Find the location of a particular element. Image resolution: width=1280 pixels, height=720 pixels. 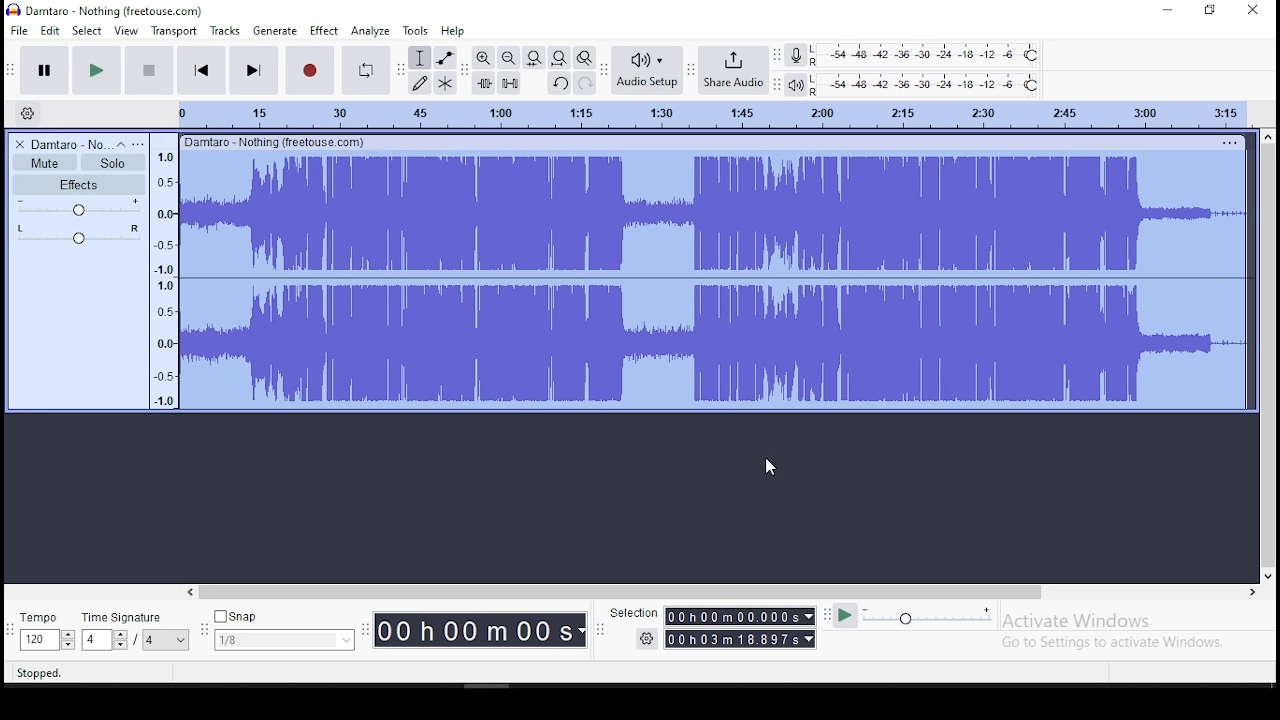

audio setup is located at coordinates (645, 70).